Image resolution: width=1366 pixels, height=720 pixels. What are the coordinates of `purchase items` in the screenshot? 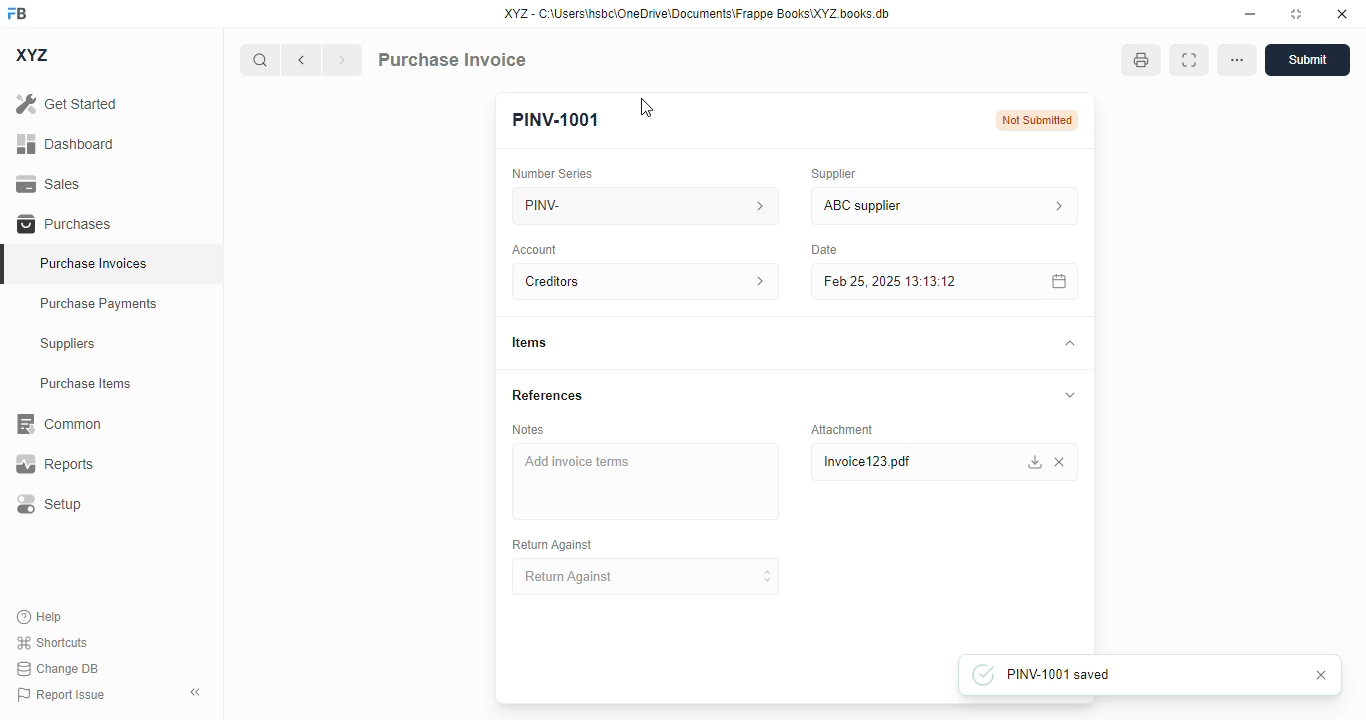 It's located at (86, 383).